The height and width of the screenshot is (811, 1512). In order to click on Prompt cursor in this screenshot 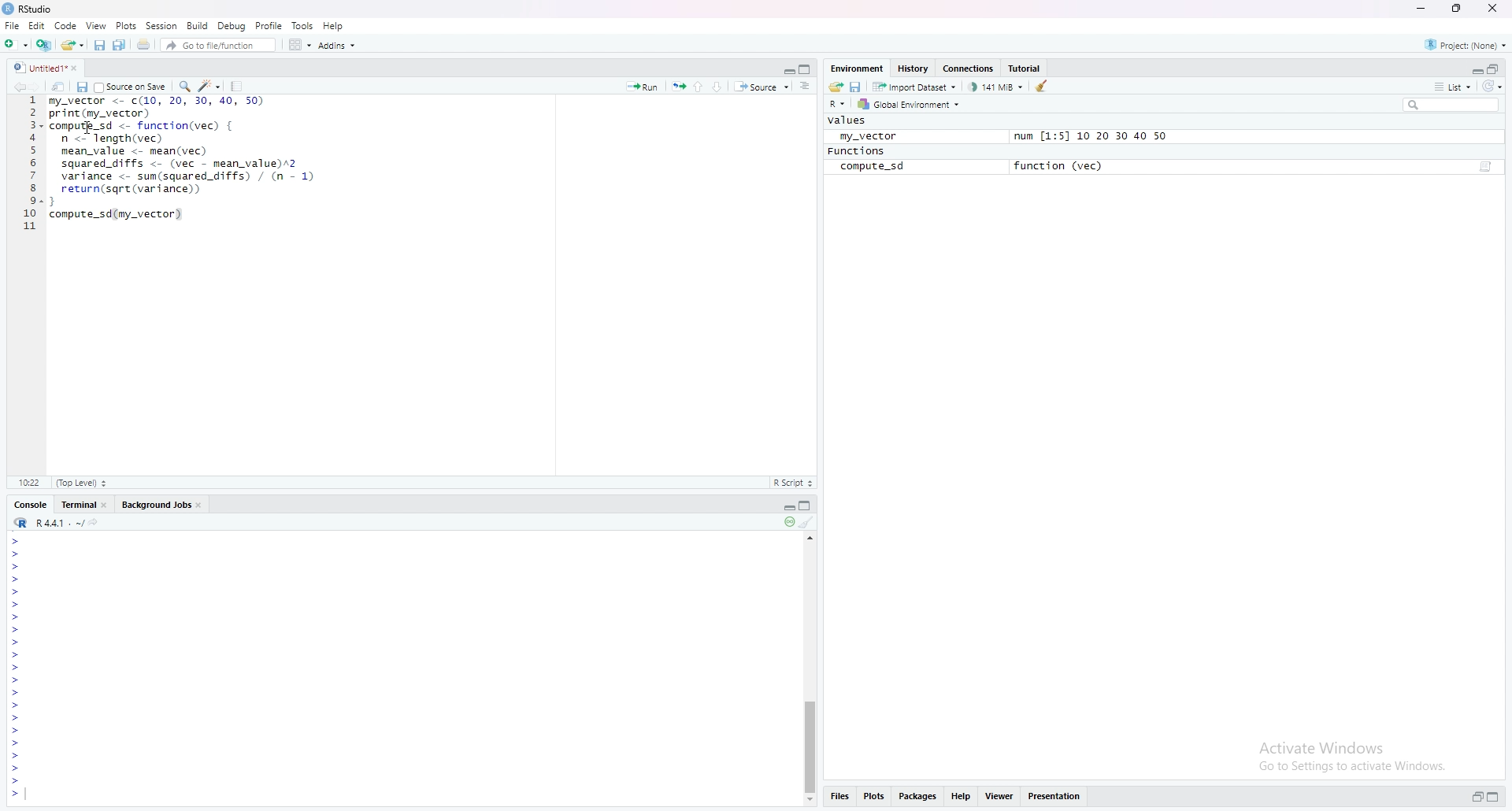, I will do `click(16, 769)`.